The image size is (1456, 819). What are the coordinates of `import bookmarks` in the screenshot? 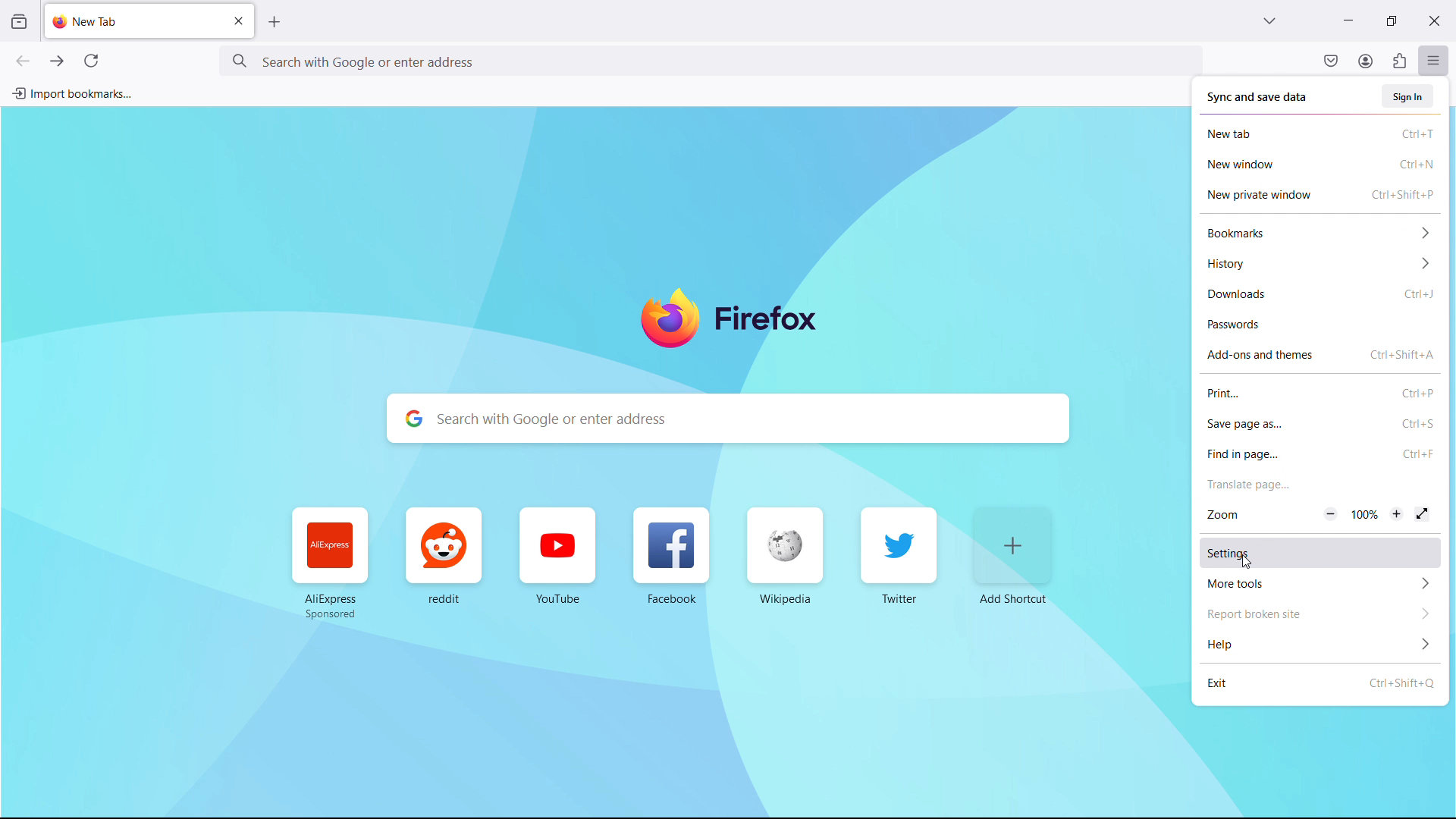 It's located at (72, 93).